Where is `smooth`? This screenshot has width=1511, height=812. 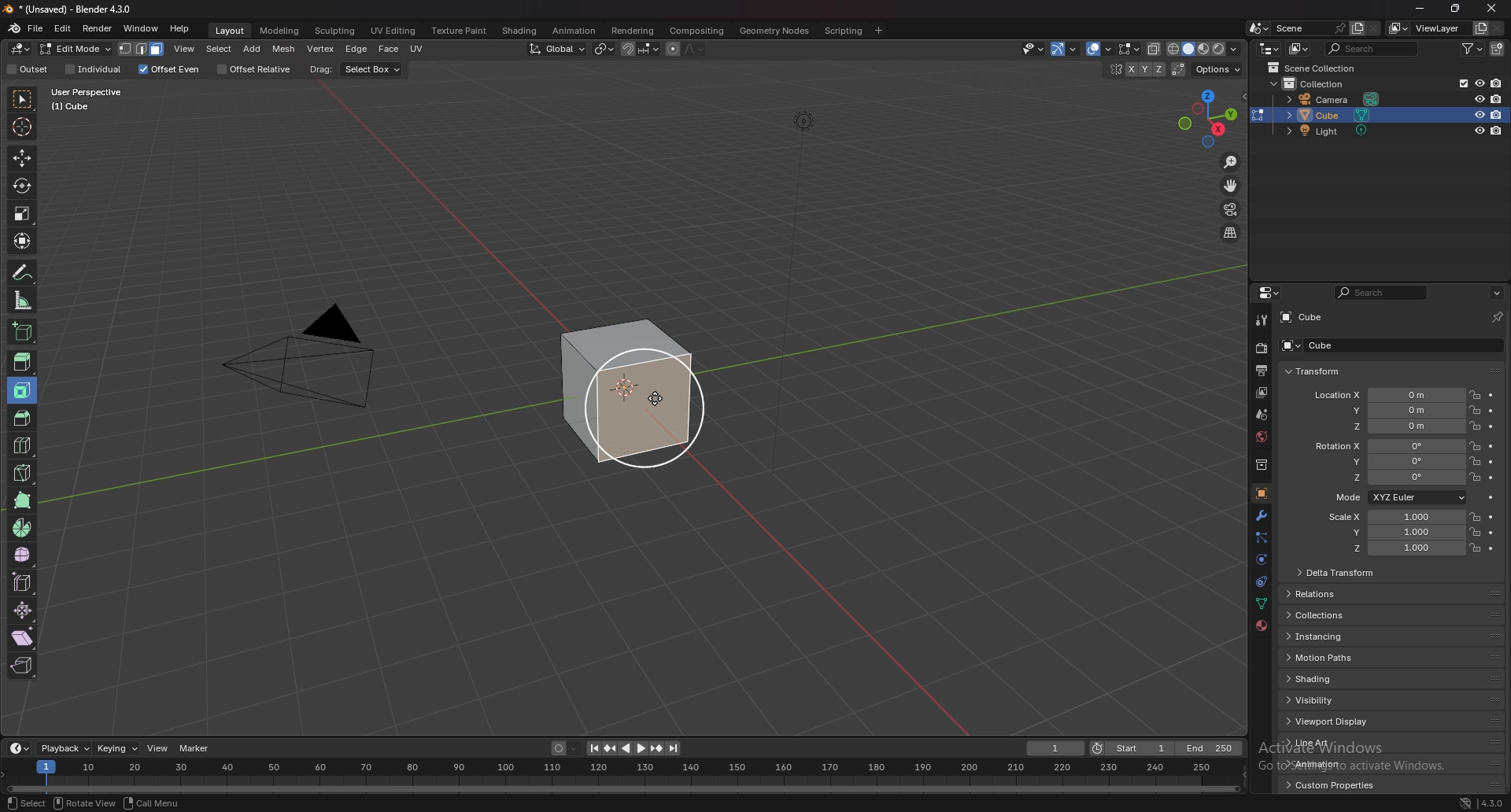
smooth is located at coordinates (24, 555).